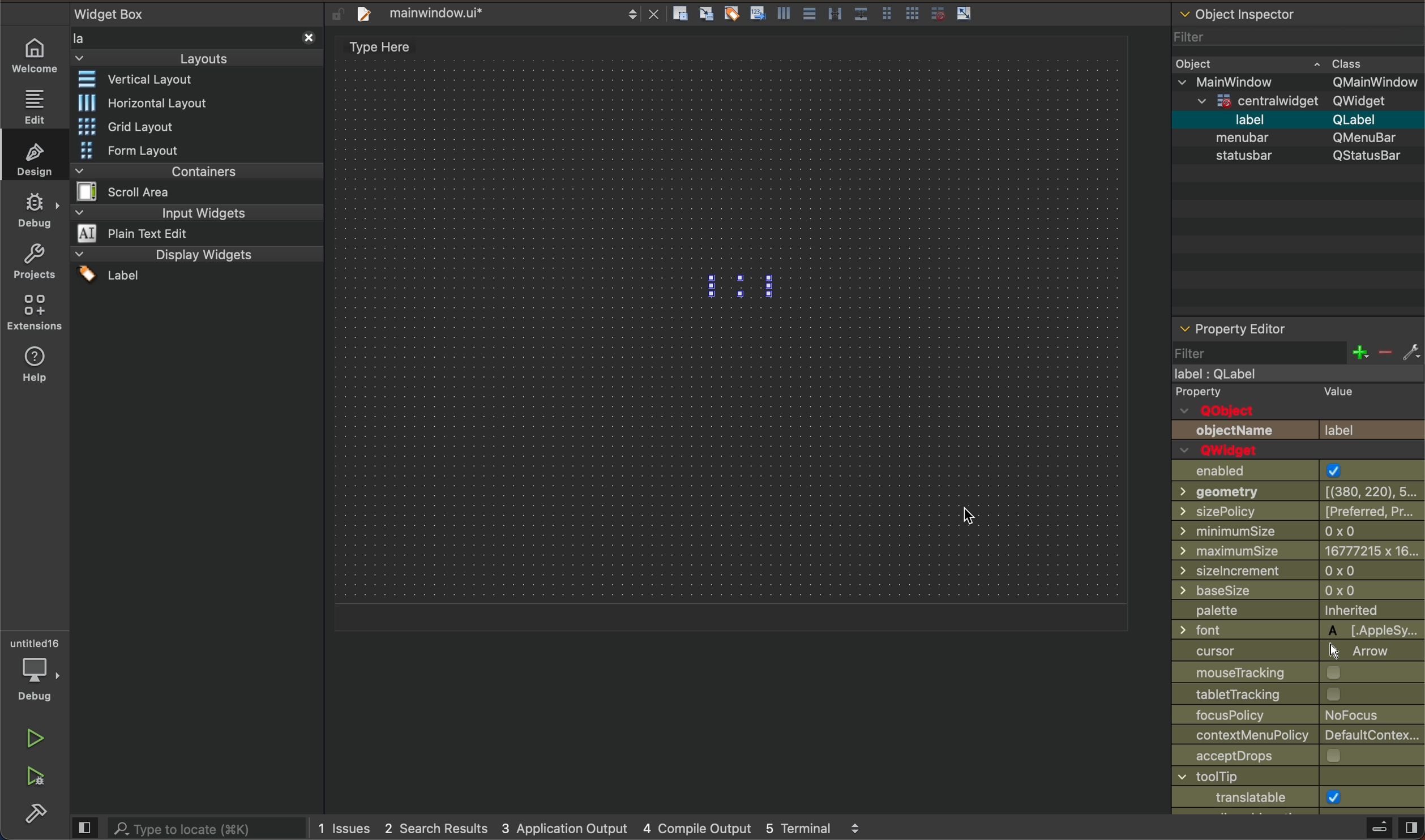  Describe the element at coordinates (504, 12) in the screenshot. I see `file` at that location.